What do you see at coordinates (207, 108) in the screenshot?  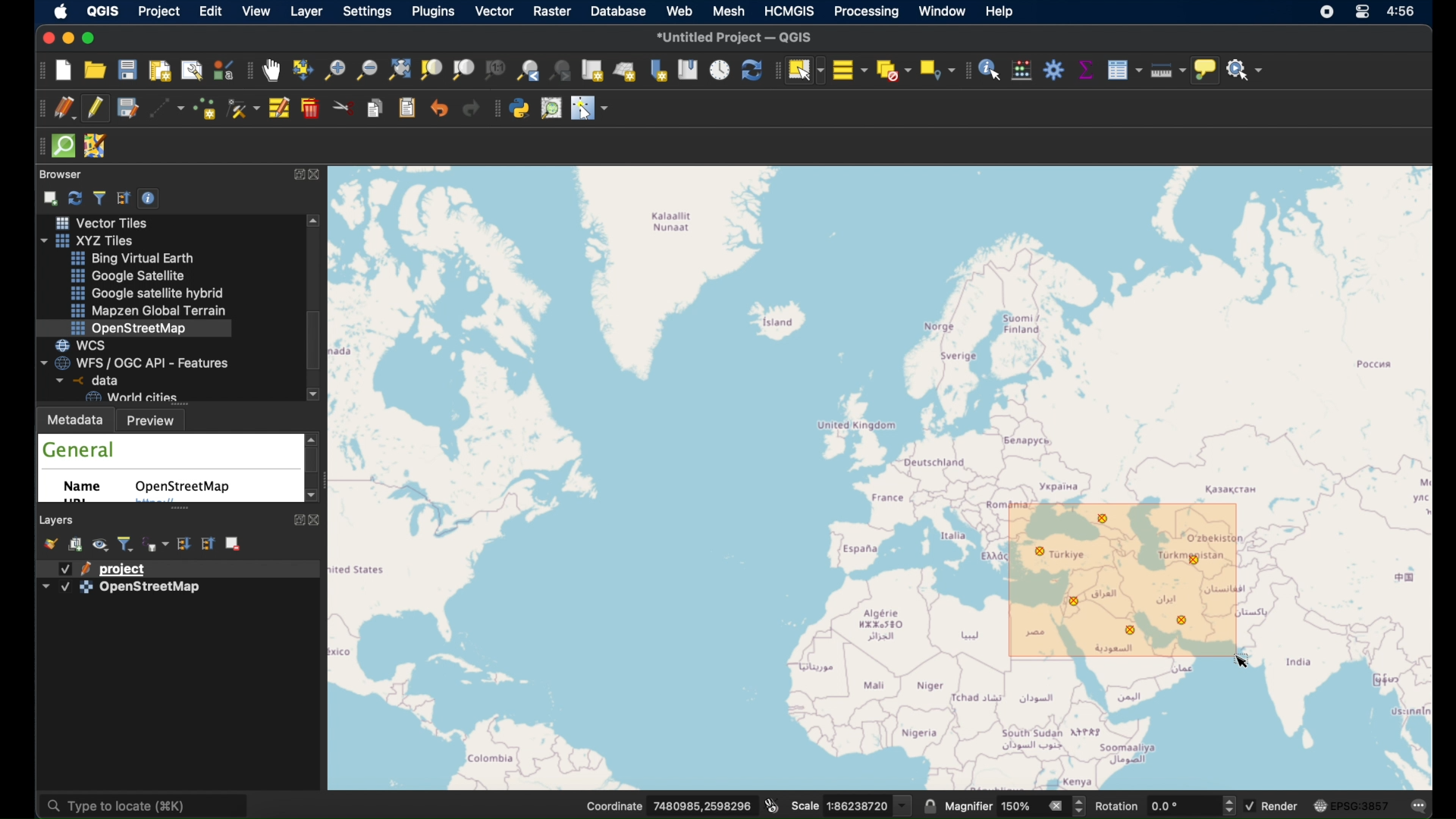 I see `add point feature` at bounding box center [207, 108].